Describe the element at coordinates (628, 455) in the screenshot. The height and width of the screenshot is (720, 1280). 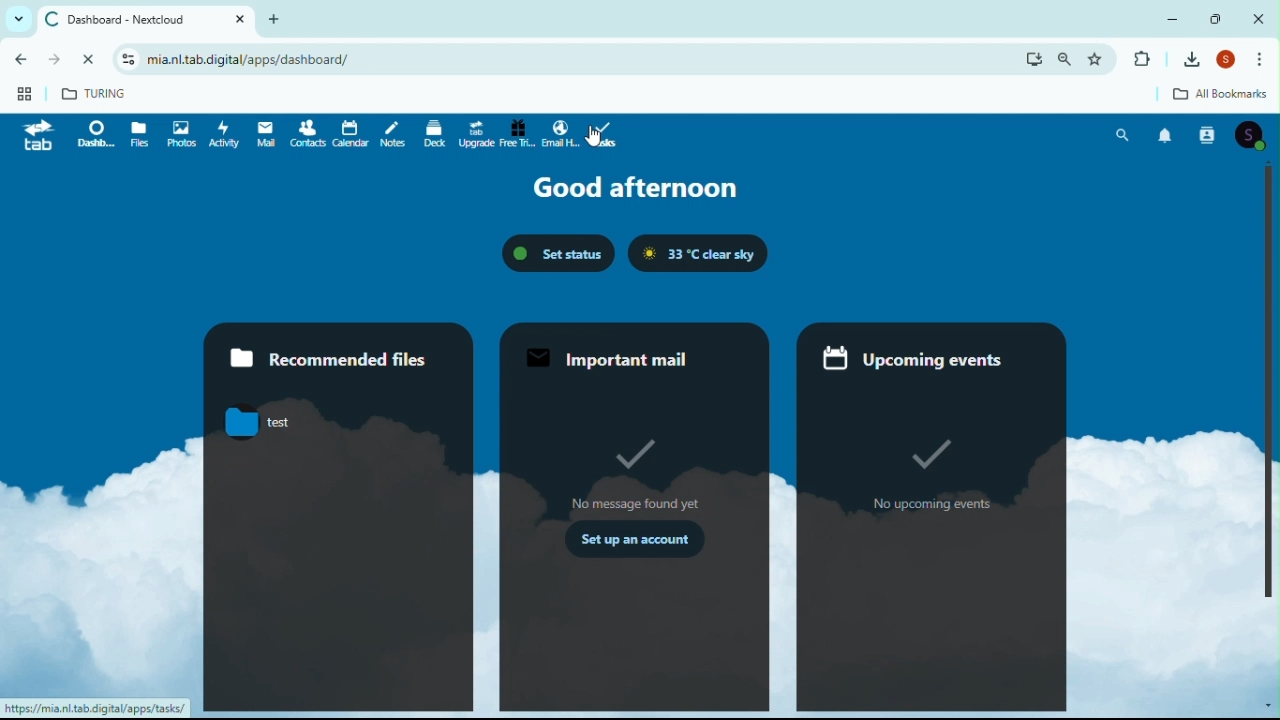
I see `tick mark` at that location.